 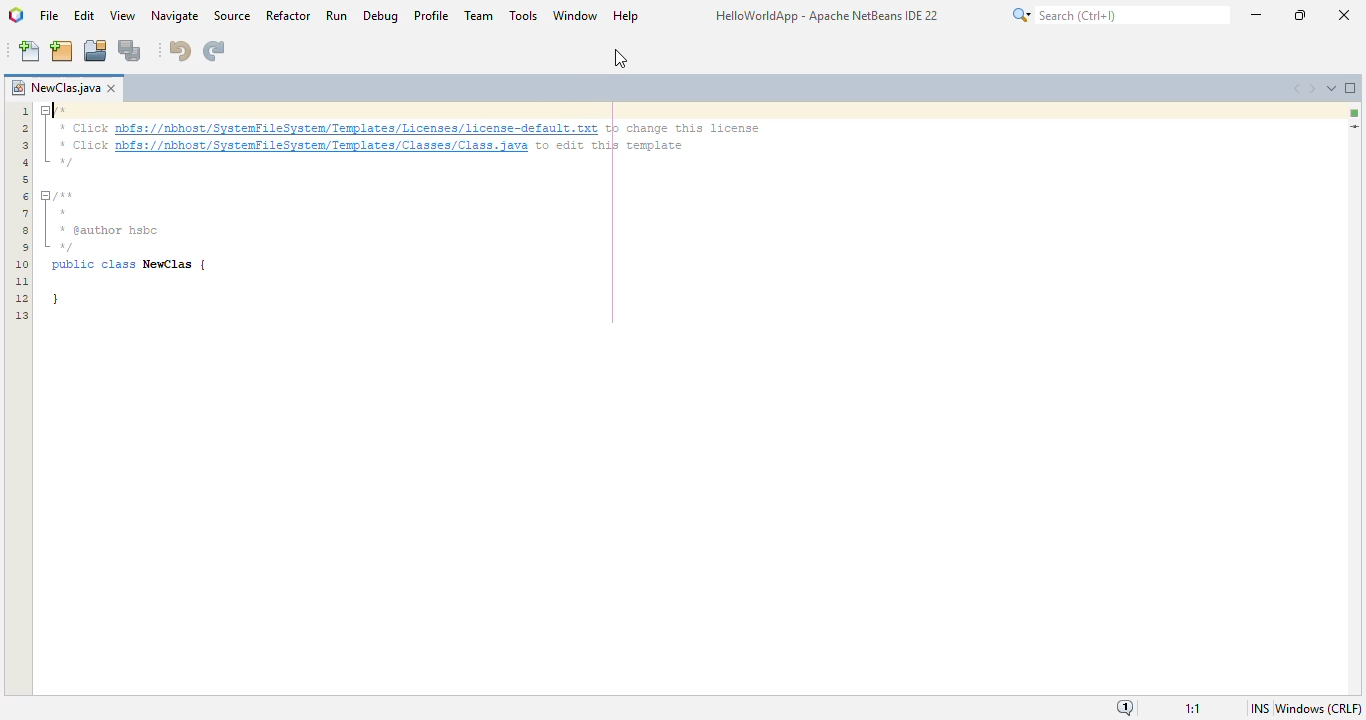 What do you see at coordinates (45, 134) in the screenshot?
I see `fold marker` at bounding box center [45, 134].